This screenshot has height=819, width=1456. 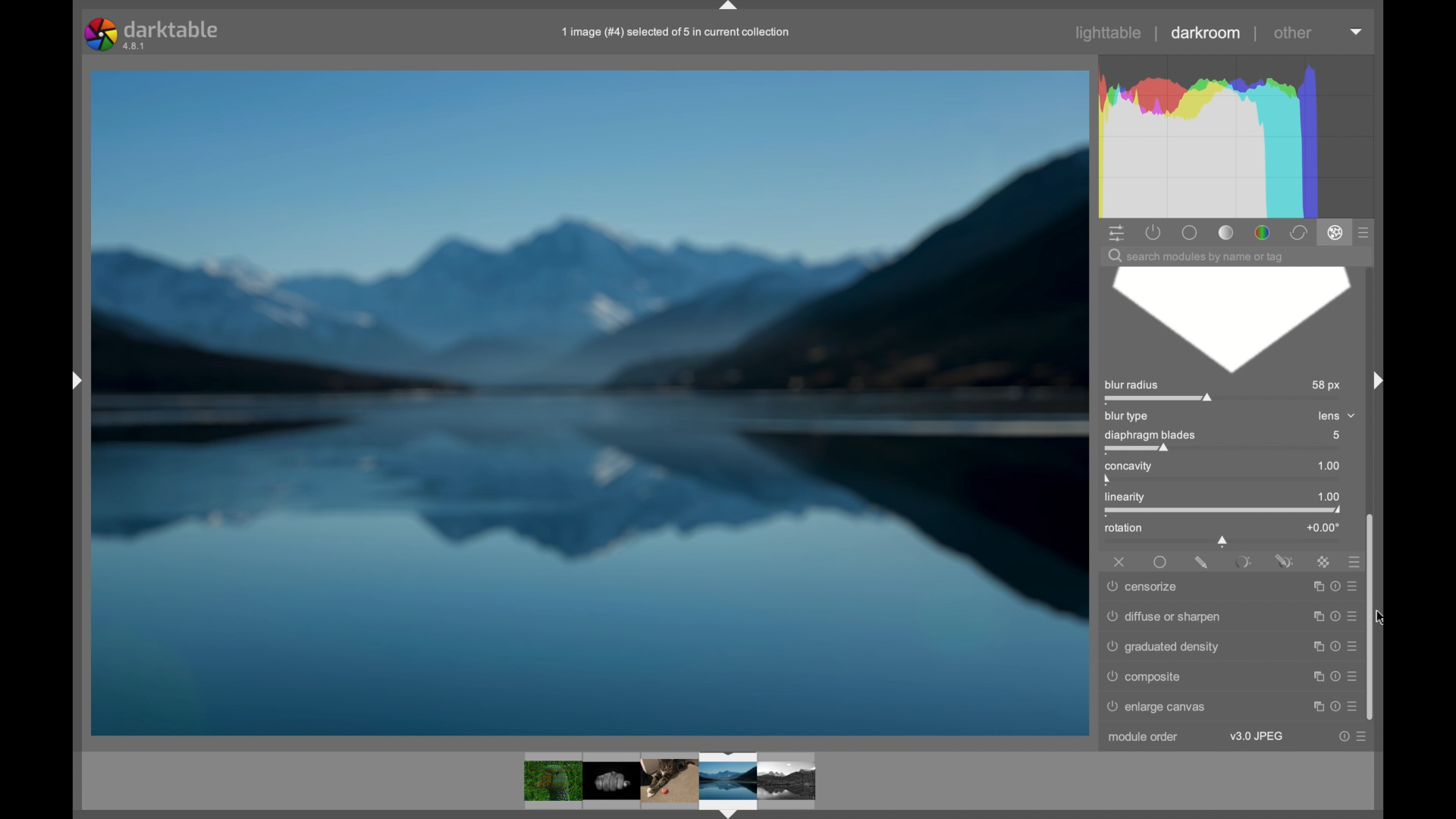 What do you see at coordinates (1128, 416) in the screenshot?
I see `blur type` at bounding box center [1128, 416].